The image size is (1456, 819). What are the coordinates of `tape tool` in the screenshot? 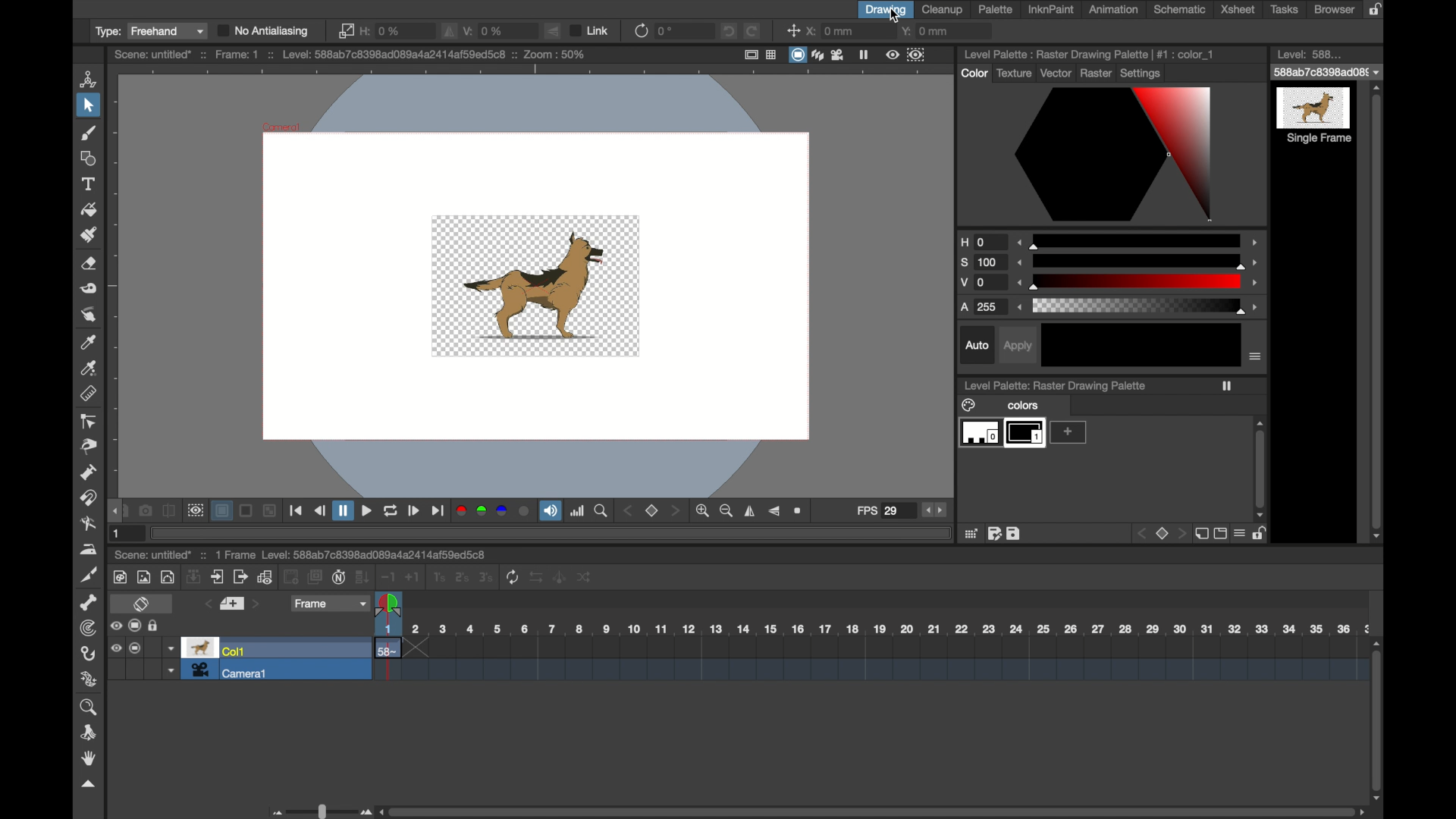 It's located at (89, 289).